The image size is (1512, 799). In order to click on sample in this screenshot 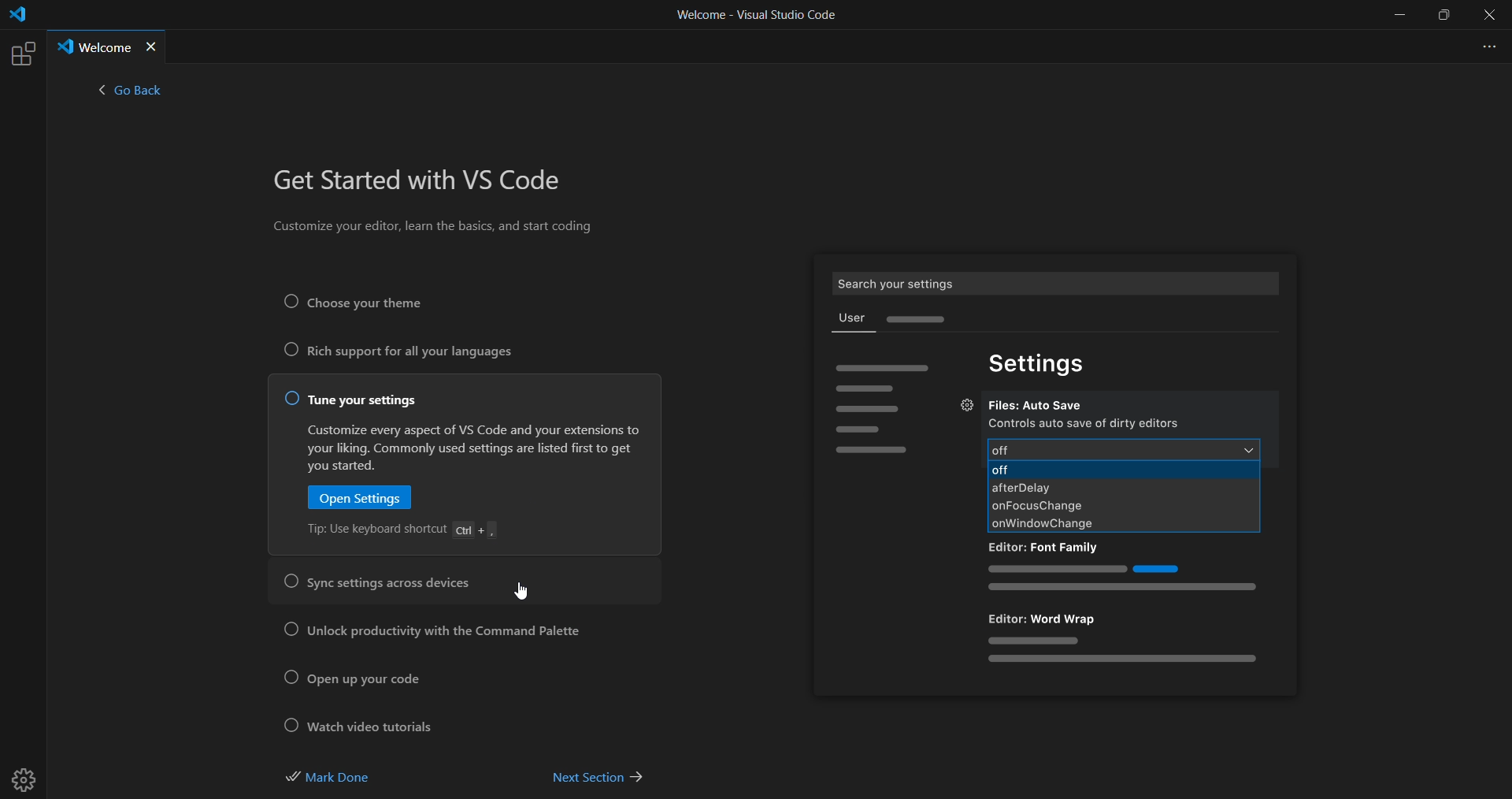, I will do `click(1131, 653)`.